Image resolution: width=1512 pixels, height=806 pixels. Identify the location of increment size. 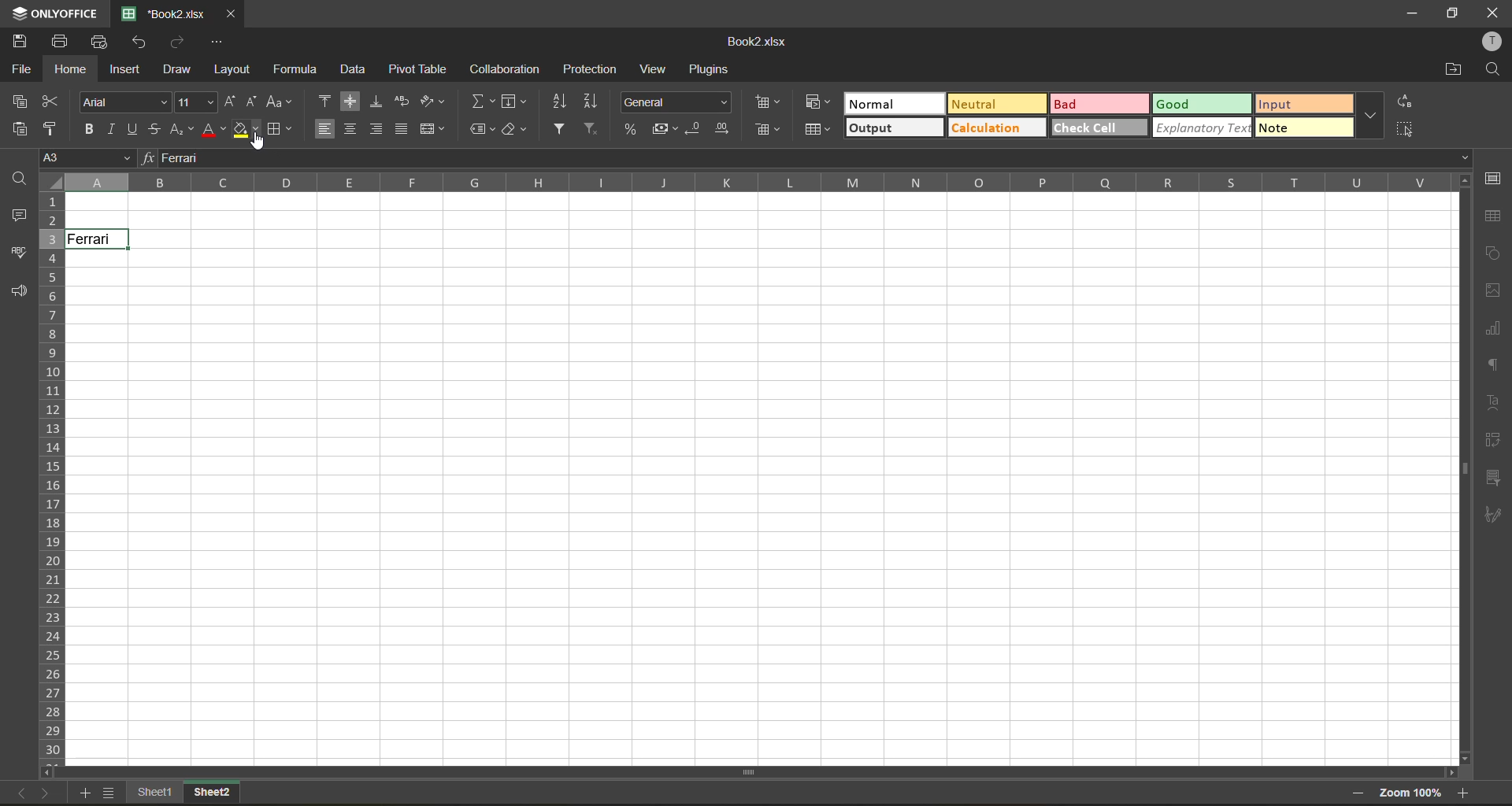
(232, 102).